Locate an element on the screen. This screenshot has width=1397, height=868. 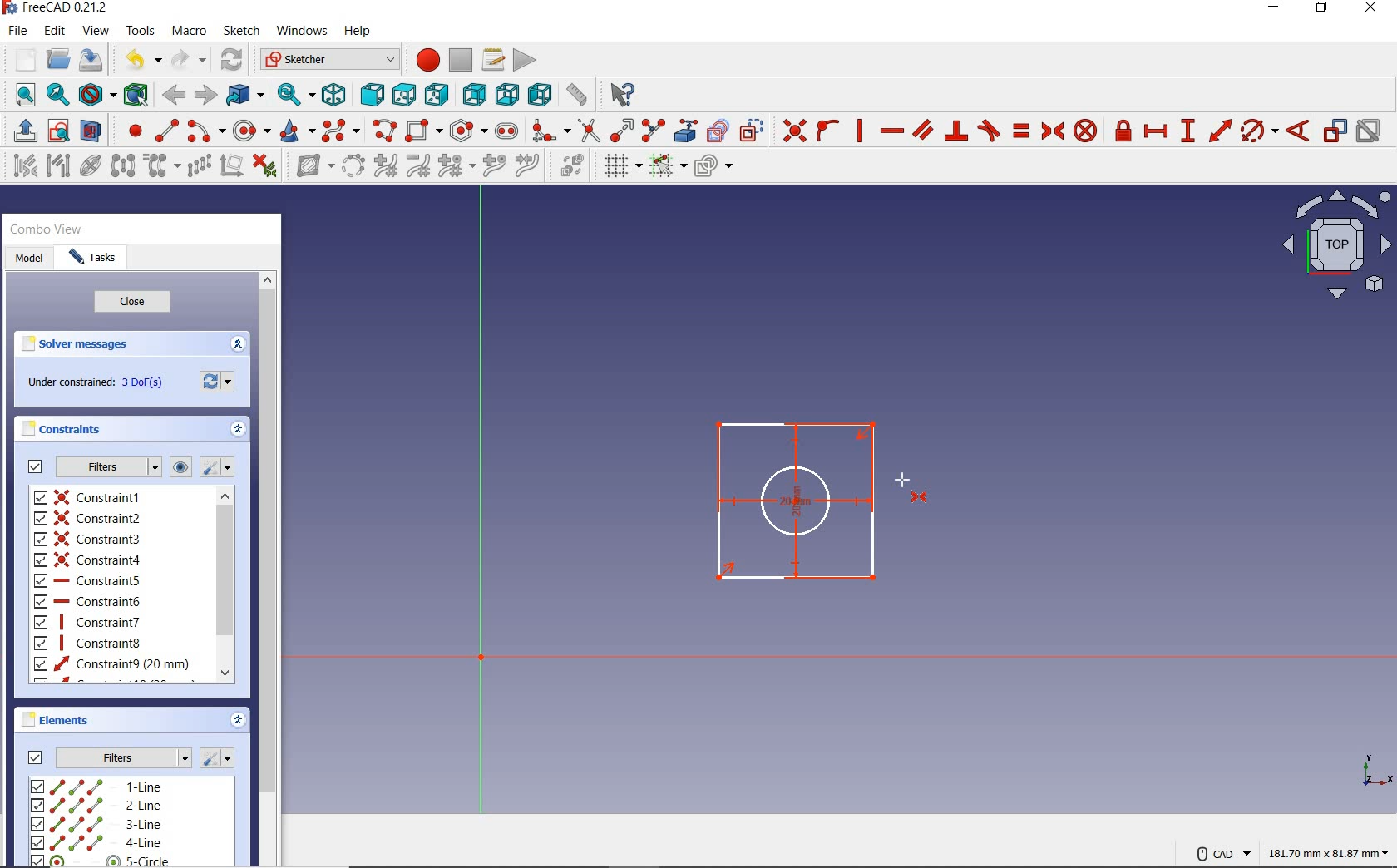
constraint8 is located at coordinates (90, 643).